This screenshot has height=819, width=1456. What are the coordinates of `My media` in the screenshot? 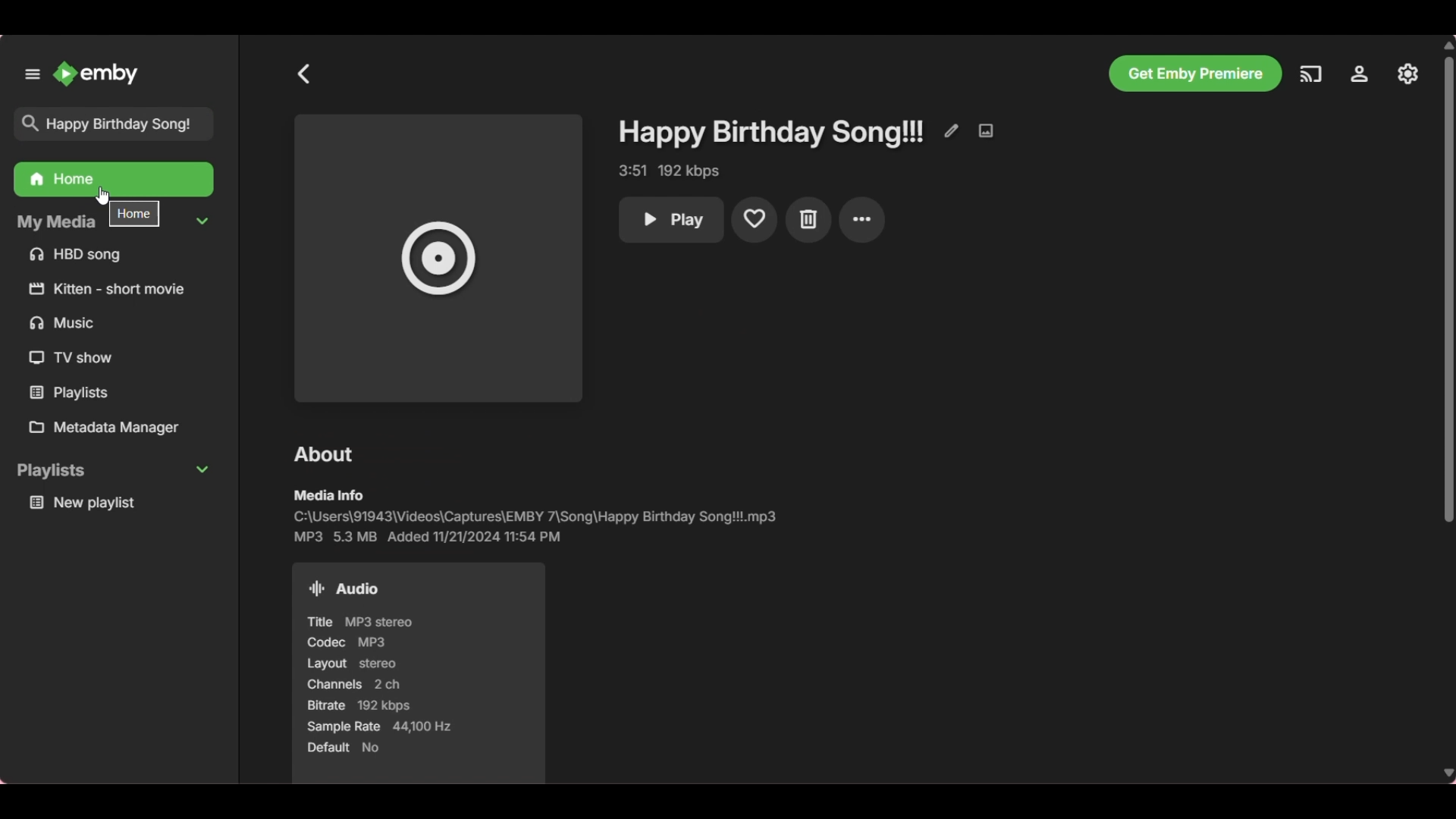 It's located at (117, 224).